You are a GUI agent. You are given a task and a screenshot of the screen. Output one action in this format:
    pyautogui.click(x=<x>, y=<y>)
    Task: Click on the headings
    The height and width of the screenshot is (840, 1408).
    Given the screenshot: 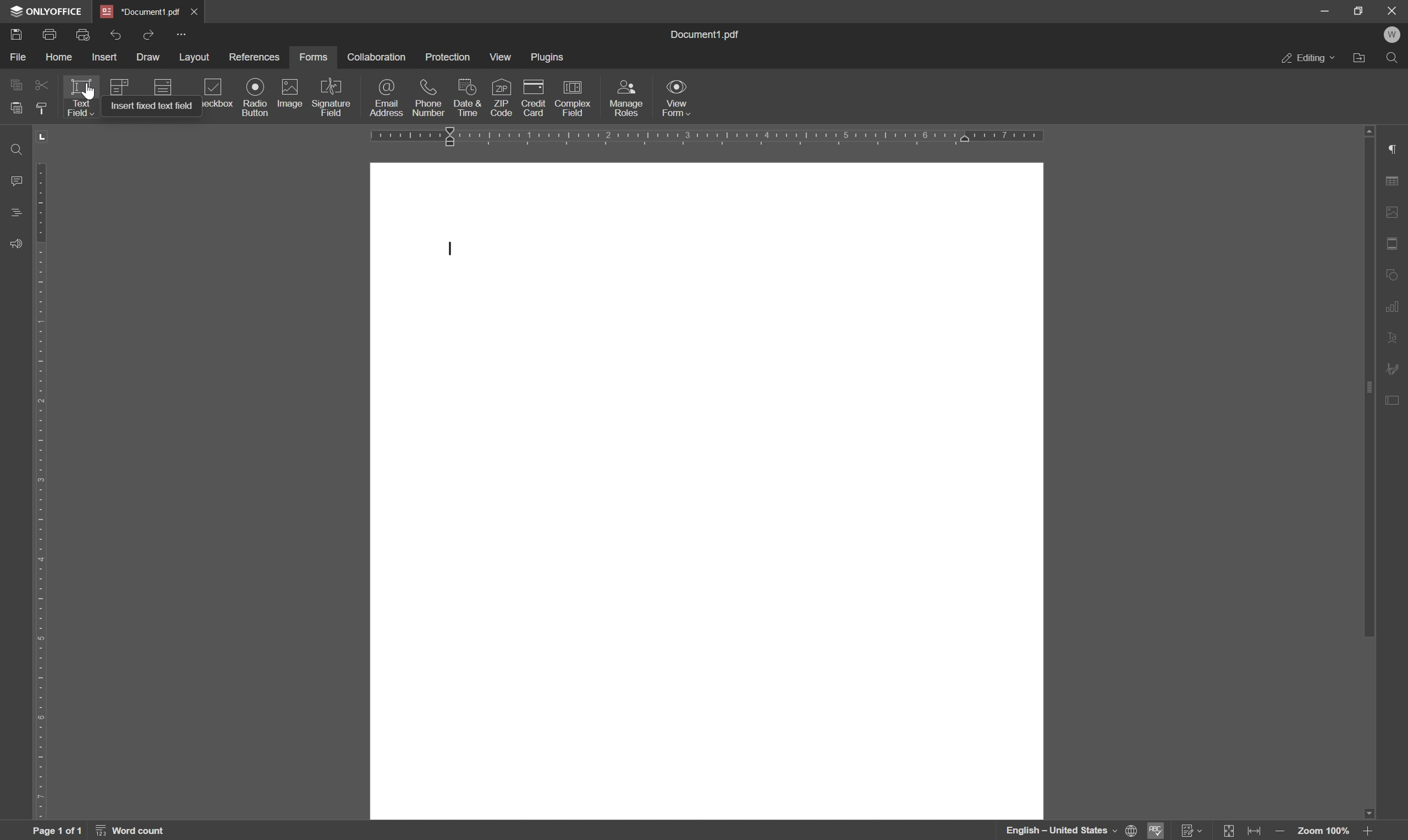 What is the action you would take?
    pyautogui.click(x=13, y=213)
    